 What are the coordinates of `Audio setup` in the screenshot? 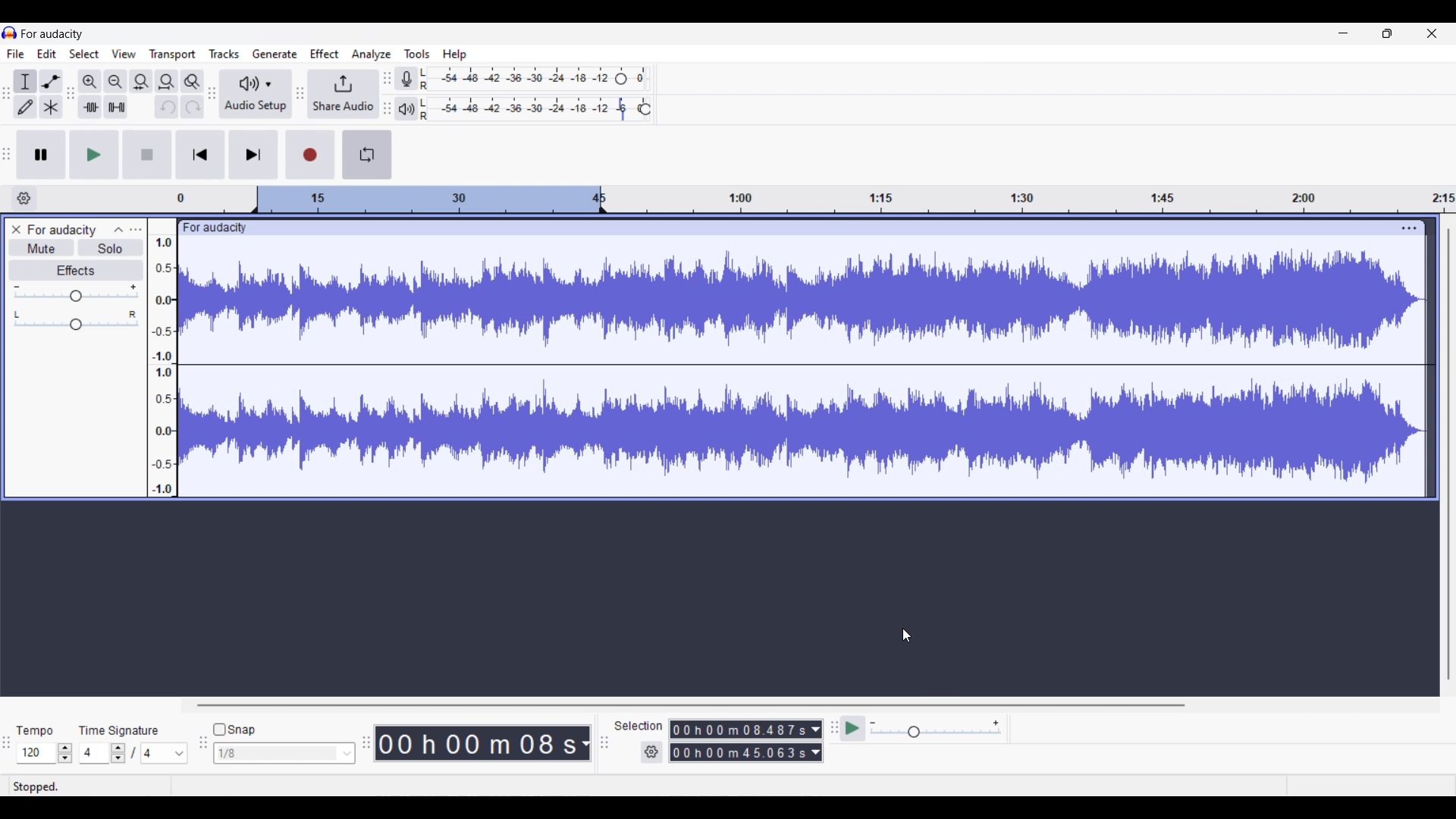 It's located at (256, 95).